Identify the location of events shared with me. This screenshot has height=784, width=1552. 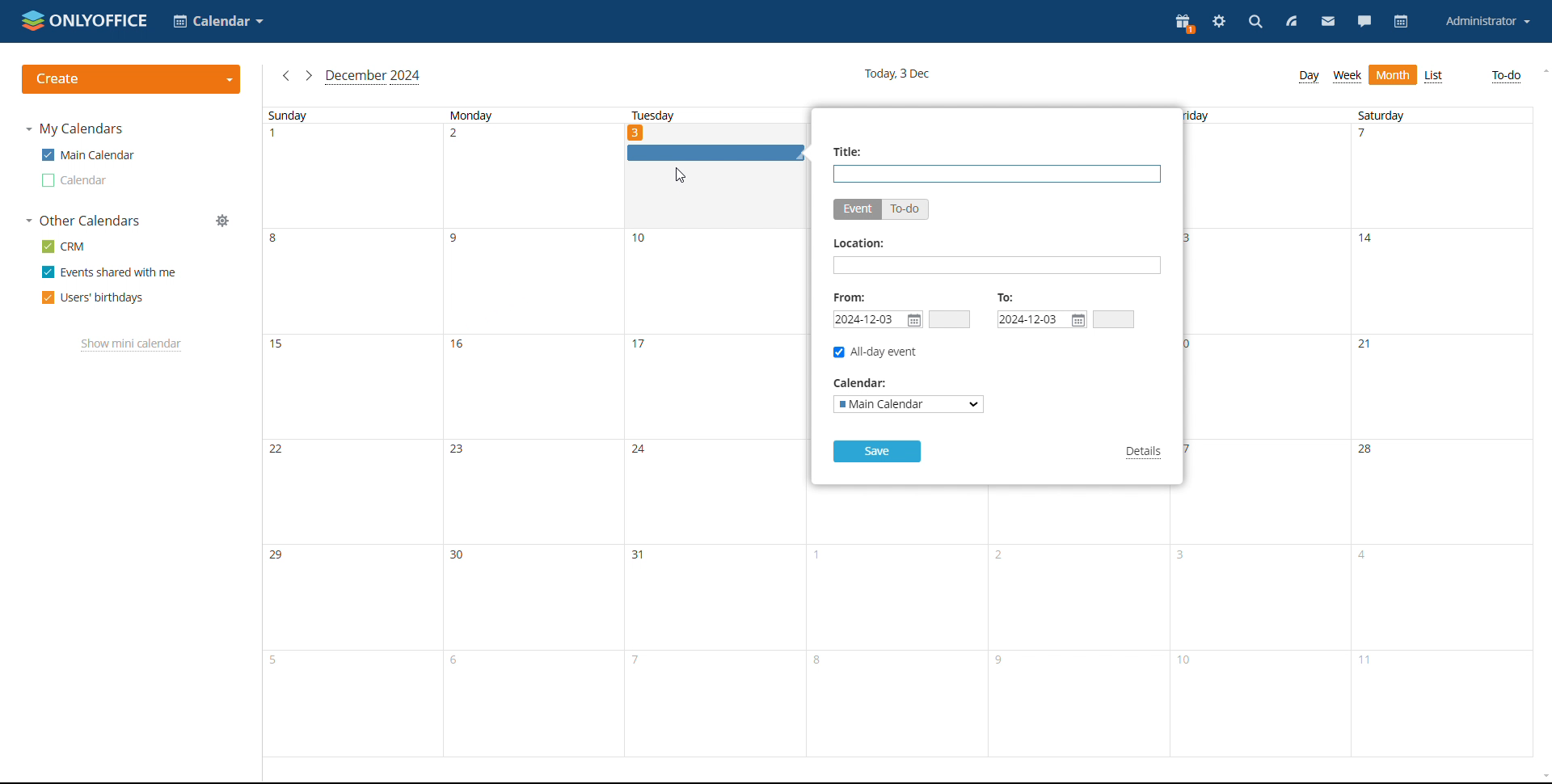
(111, 272).